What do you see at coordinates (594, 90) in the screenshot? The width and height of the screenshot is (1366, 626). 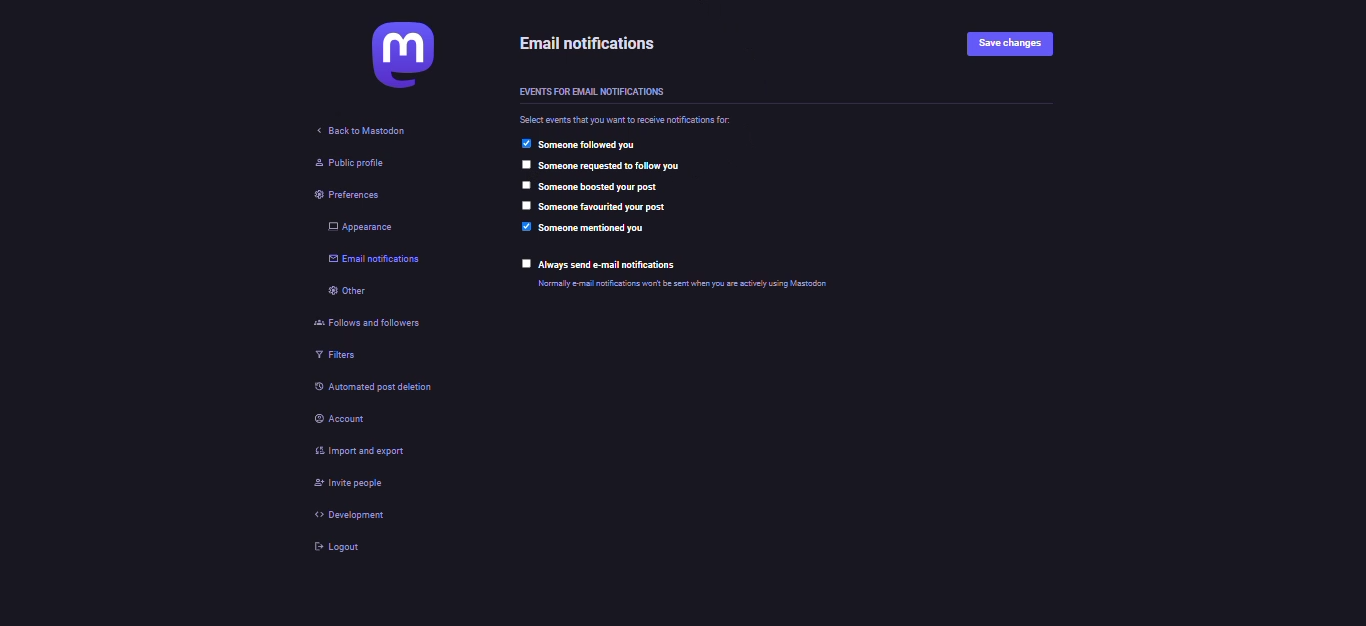 I see `events` at bounding box center [594, 90].